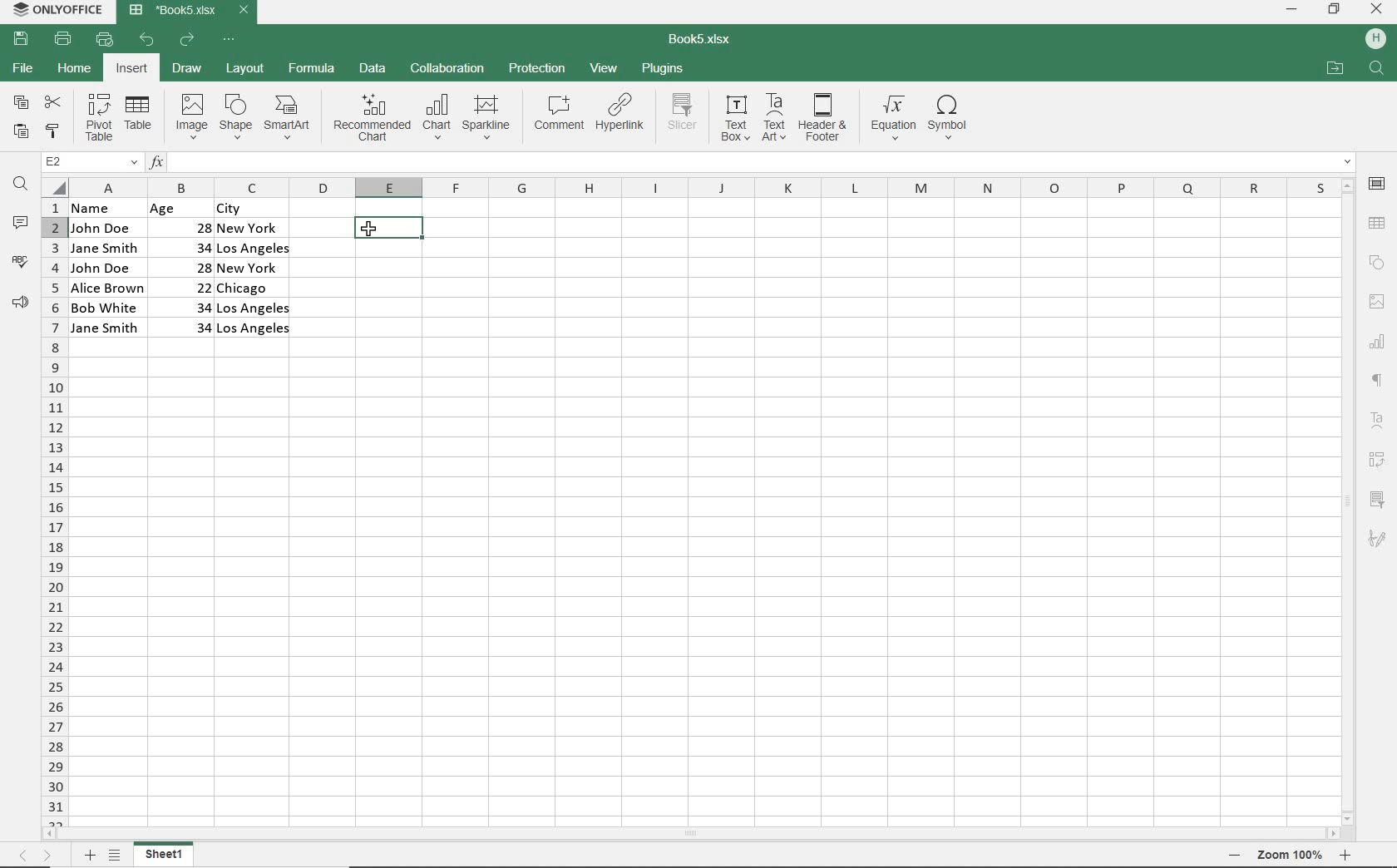  I want to click on SPARKLINE, so click(486, 119).